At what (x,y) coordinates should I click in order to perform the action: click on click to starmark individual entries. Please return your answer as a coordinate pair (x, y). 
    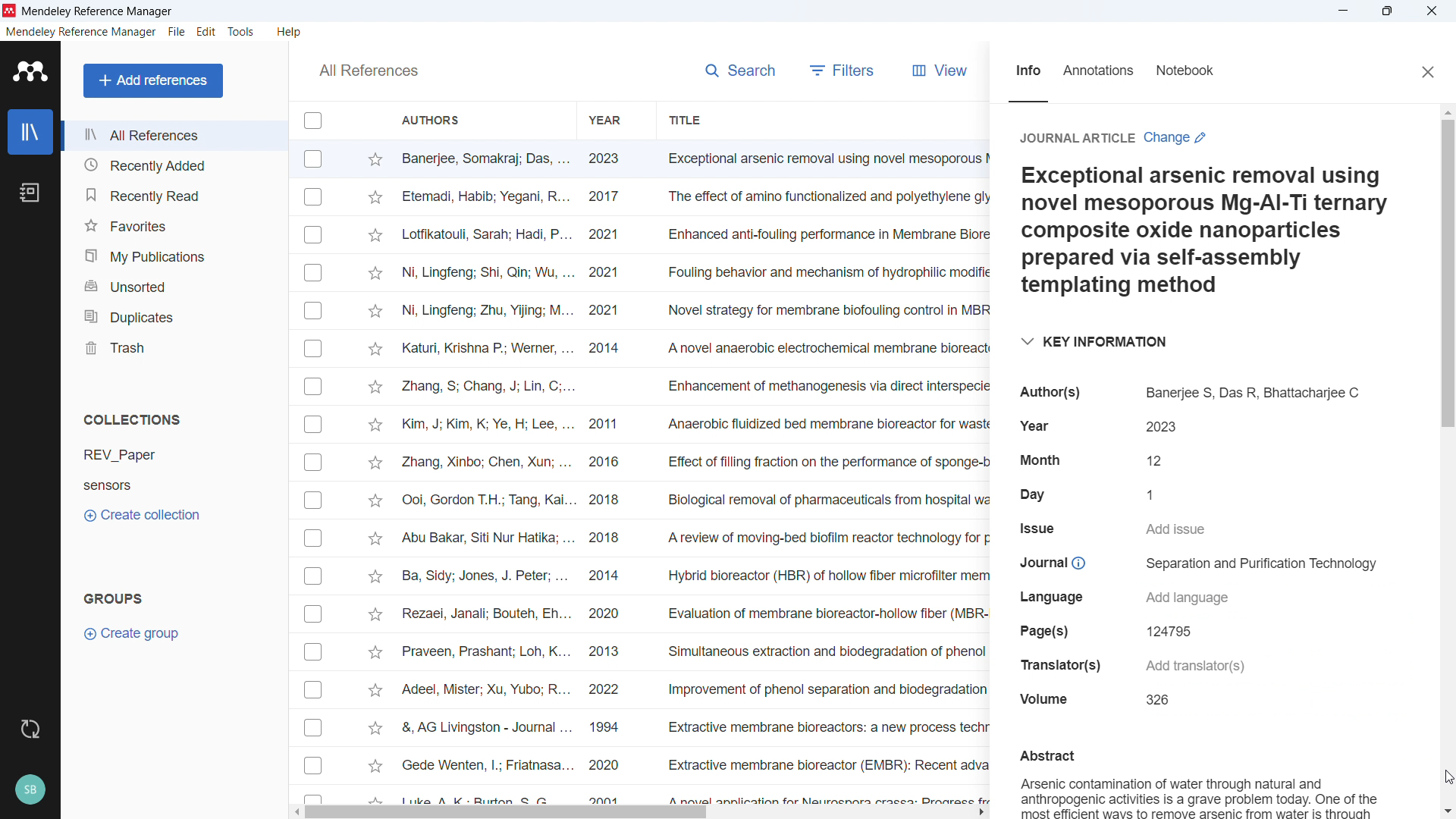
    Looking at the image, I should click on (376, 538).